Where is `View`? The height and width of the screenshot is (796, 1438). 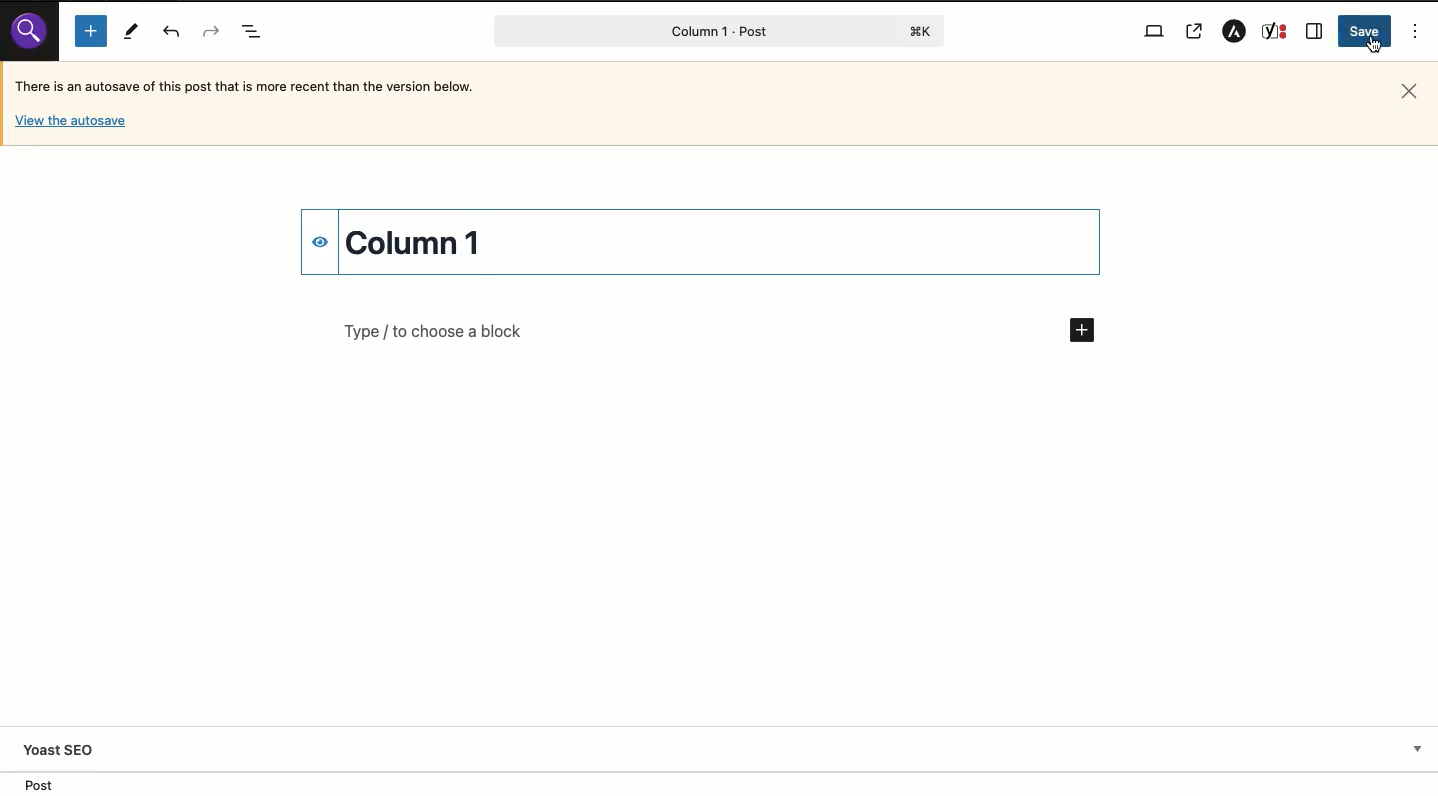 View is located at coordinates (1155, 29).